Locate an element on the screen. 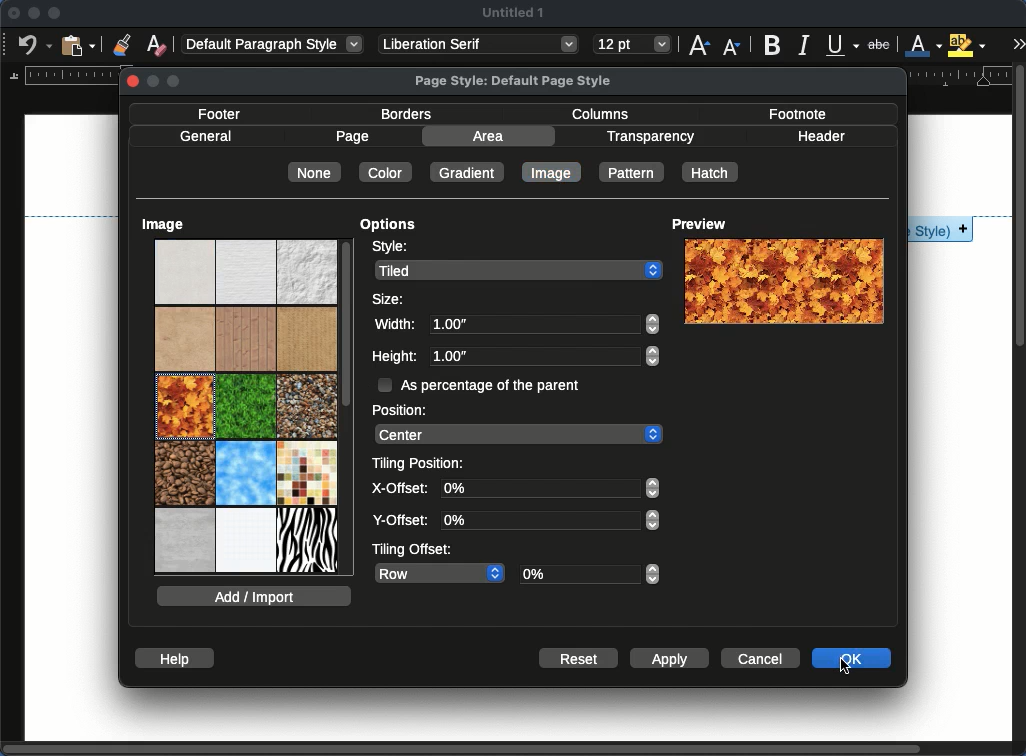 The height and width of the screenshot is (756, 1026). columns is located at coordinates (603, 115).